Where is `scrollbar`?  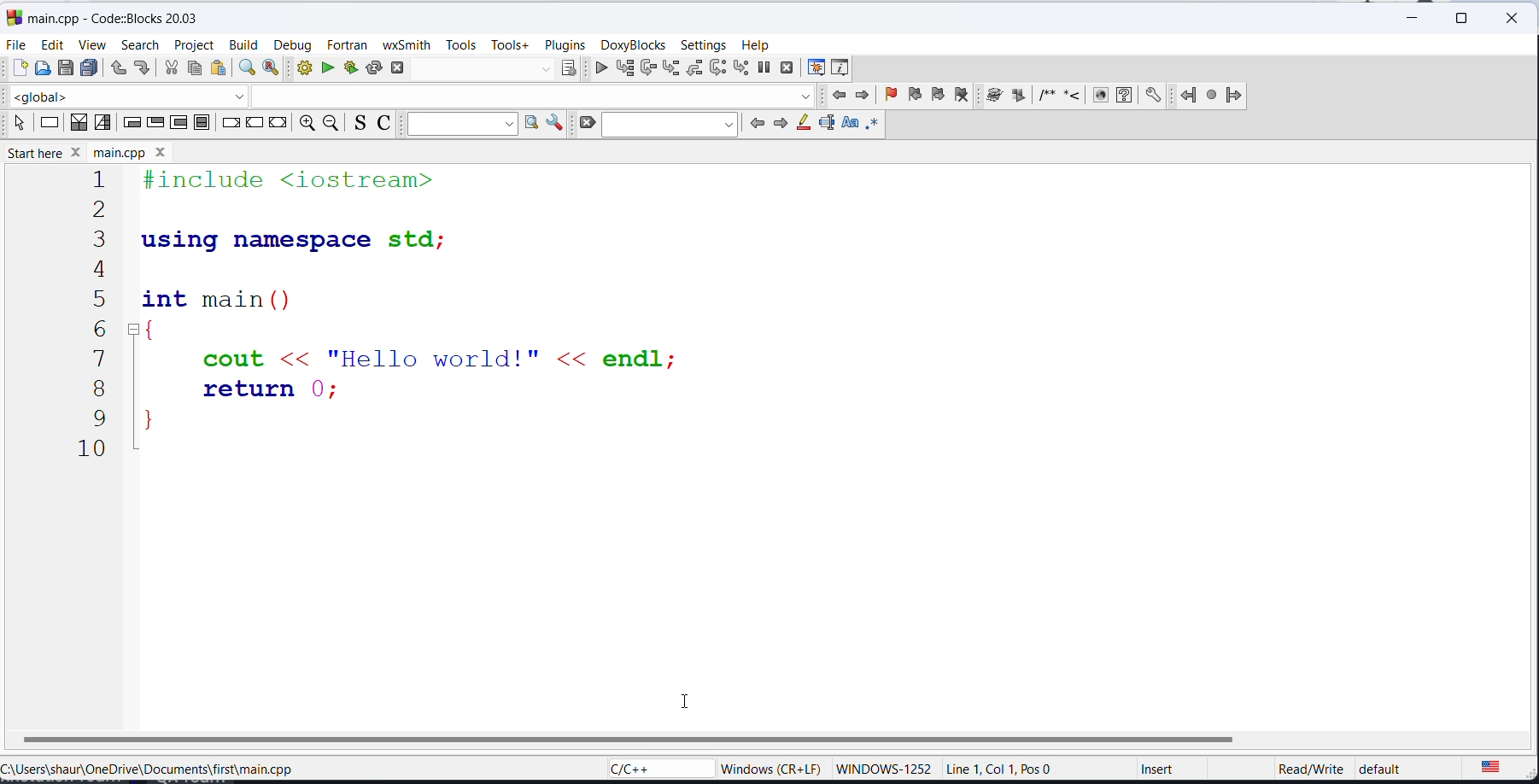
scrollbar is located at coordinates (629, 738).